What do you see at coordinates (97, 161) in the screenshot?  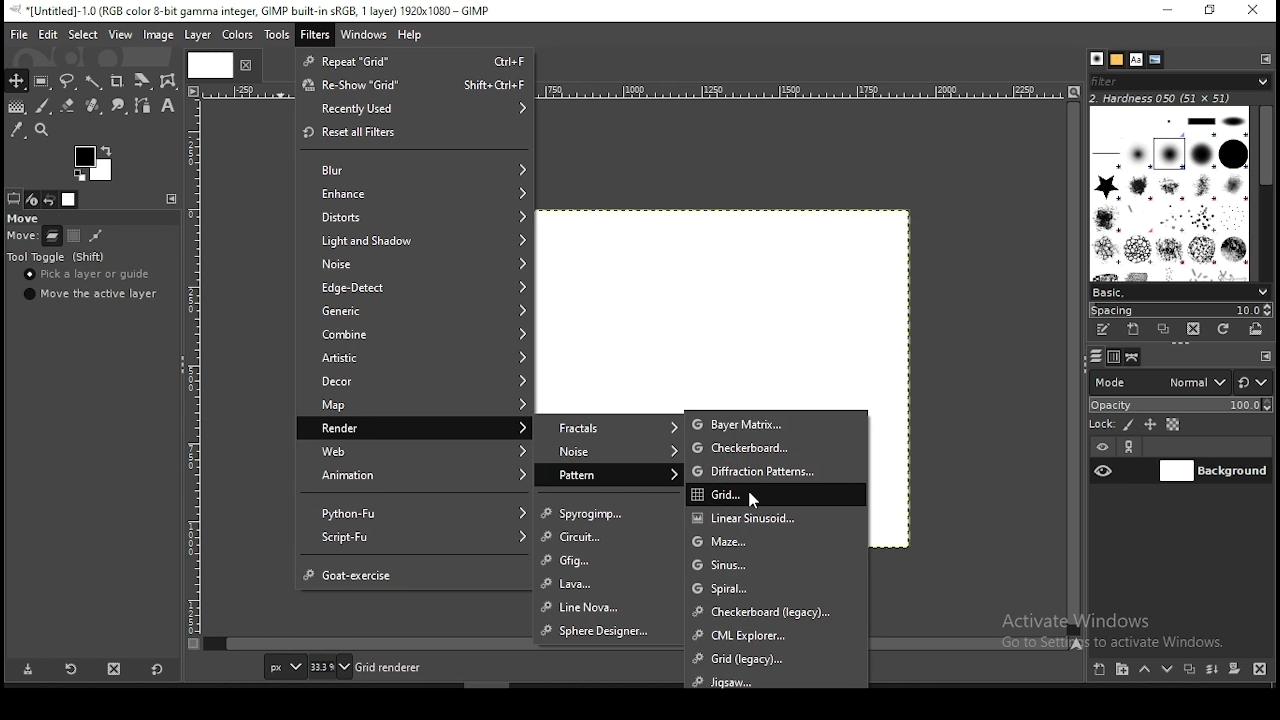 I see `colors` at bounding box center [97, 161].